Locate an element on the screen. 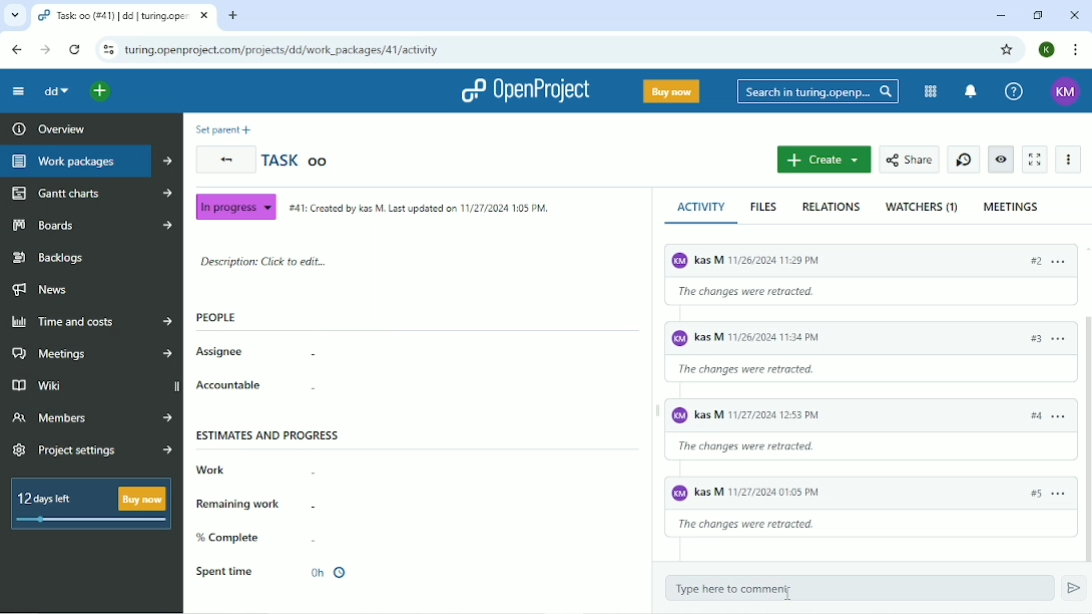  Project settings is located at coordinates (92, 452).